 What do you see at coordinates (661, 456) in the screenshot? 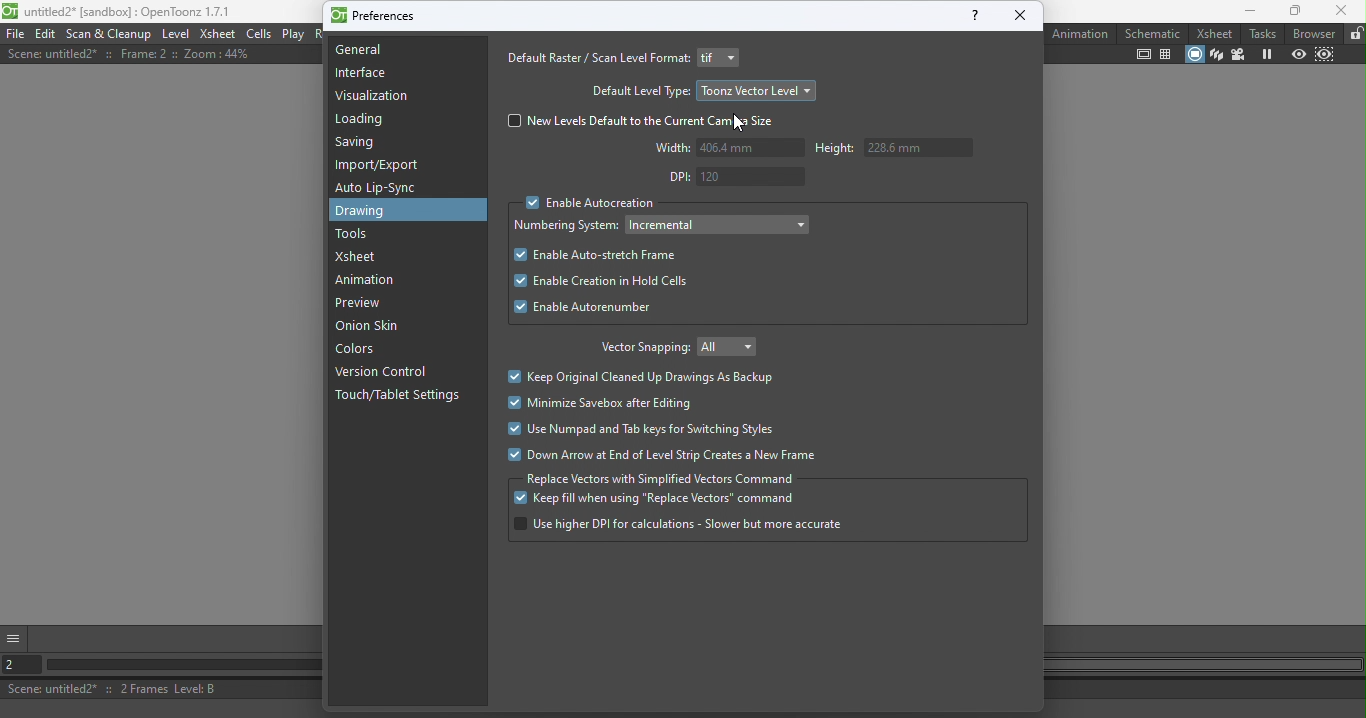
I see `Down arrow at end of level strip creates a new frame` at bounding box center [661, 456].